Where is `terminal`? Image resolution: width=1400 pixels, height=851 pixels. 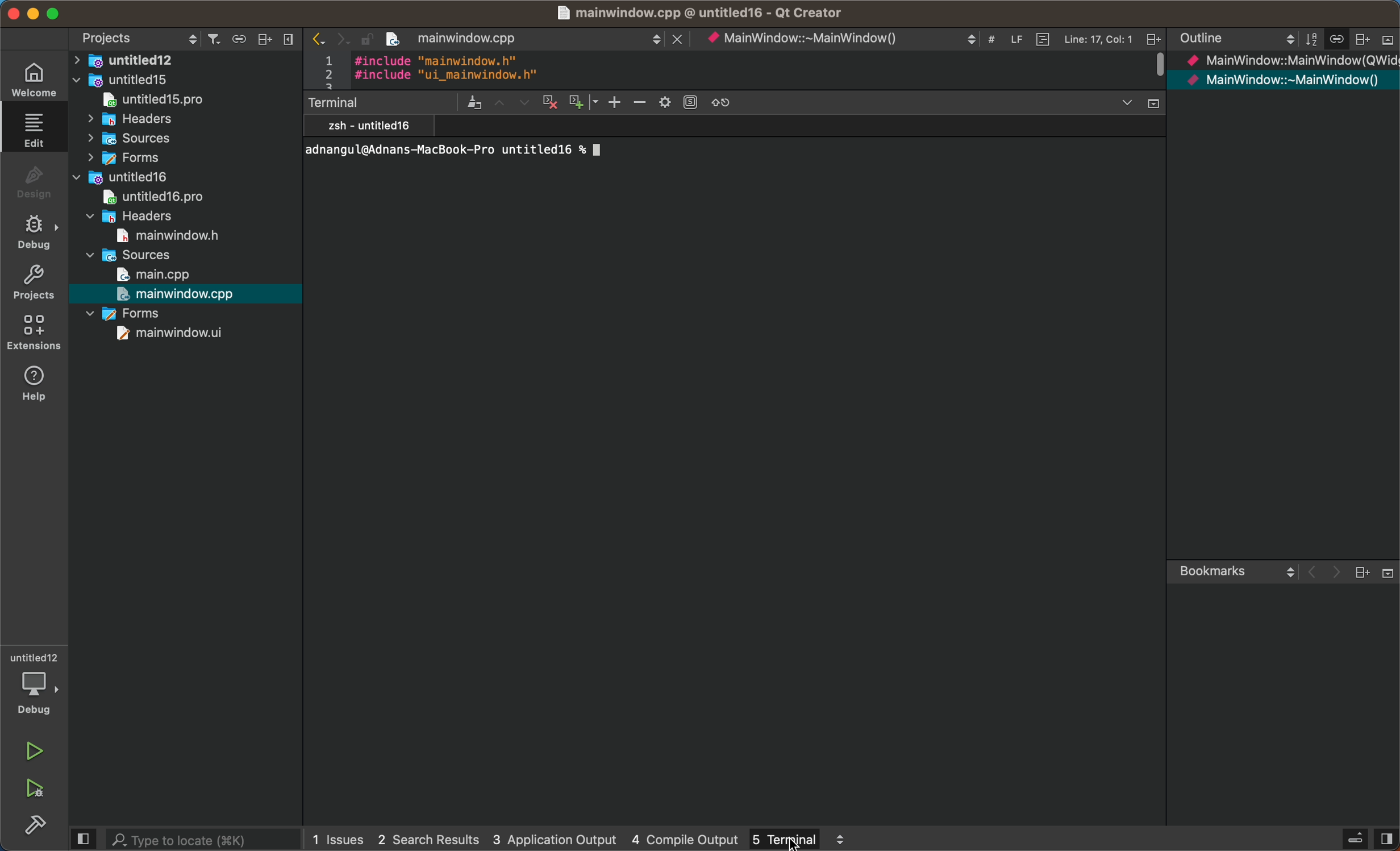 terminal is located at coordinates (797, 840).